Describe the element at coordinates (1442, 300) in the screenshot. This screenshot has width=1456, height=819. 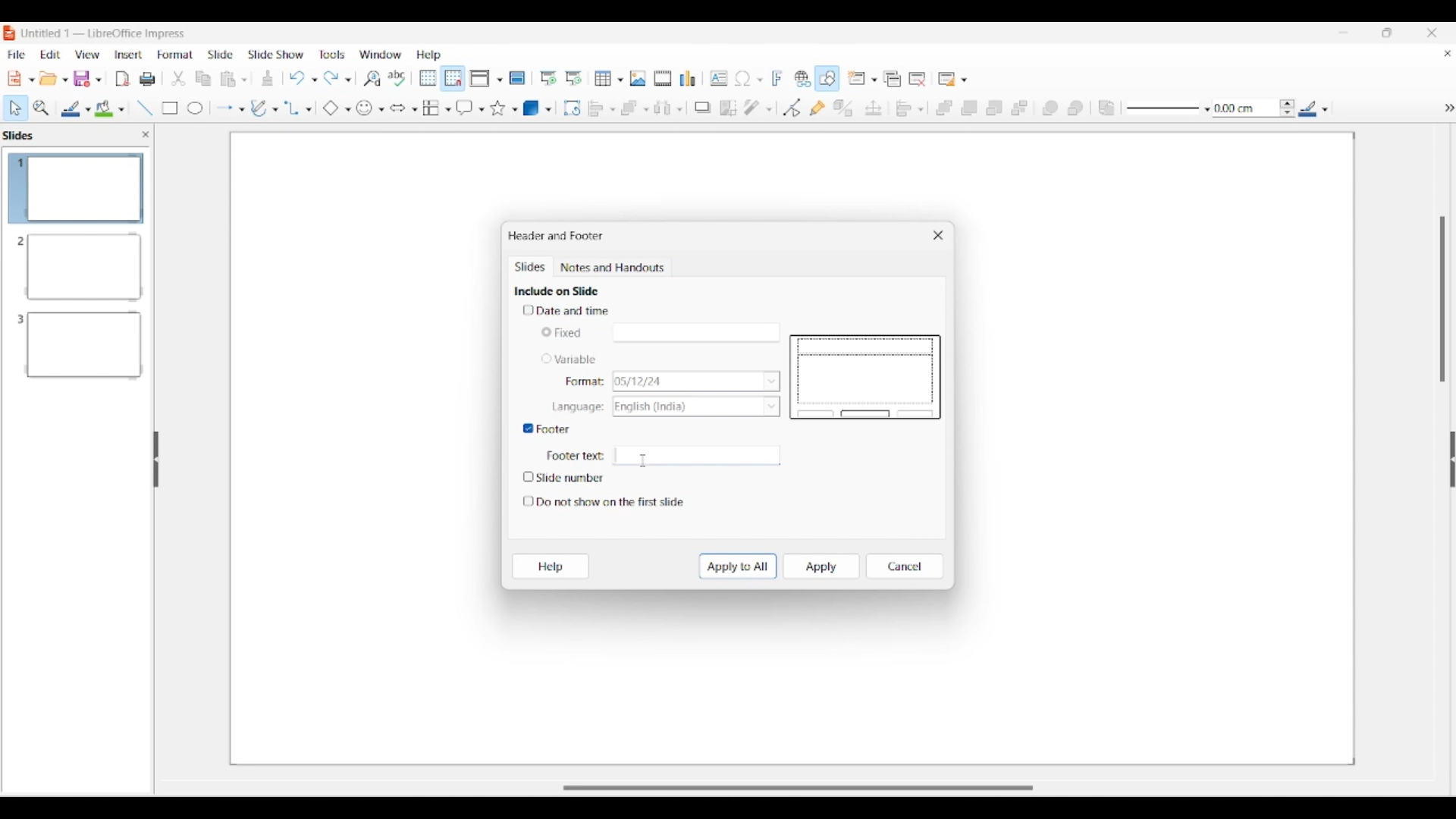
I see `Vertical slide bar` at that location.